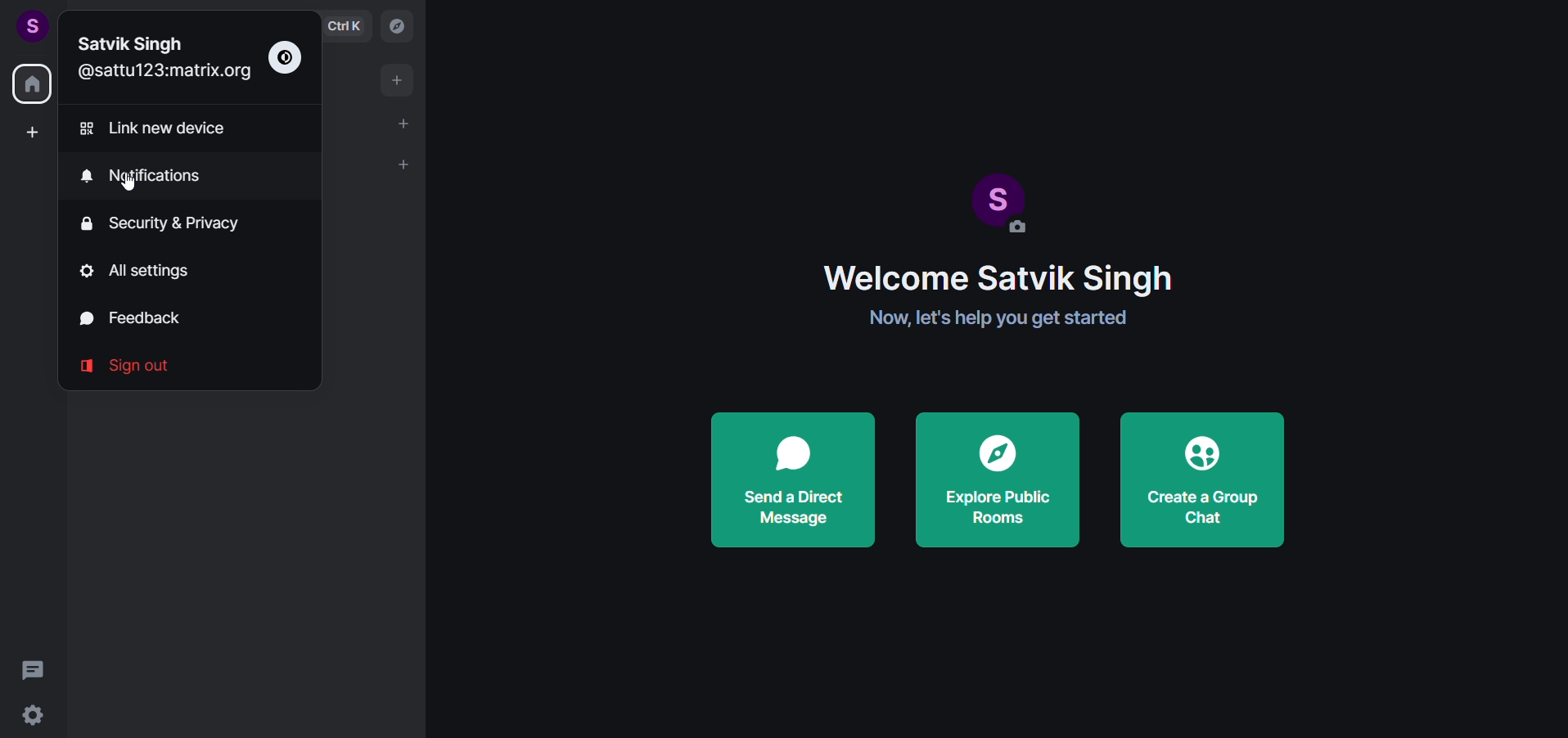 This screenshot has width=1568, height=738. I want to click on start chat, so click(404, 123).